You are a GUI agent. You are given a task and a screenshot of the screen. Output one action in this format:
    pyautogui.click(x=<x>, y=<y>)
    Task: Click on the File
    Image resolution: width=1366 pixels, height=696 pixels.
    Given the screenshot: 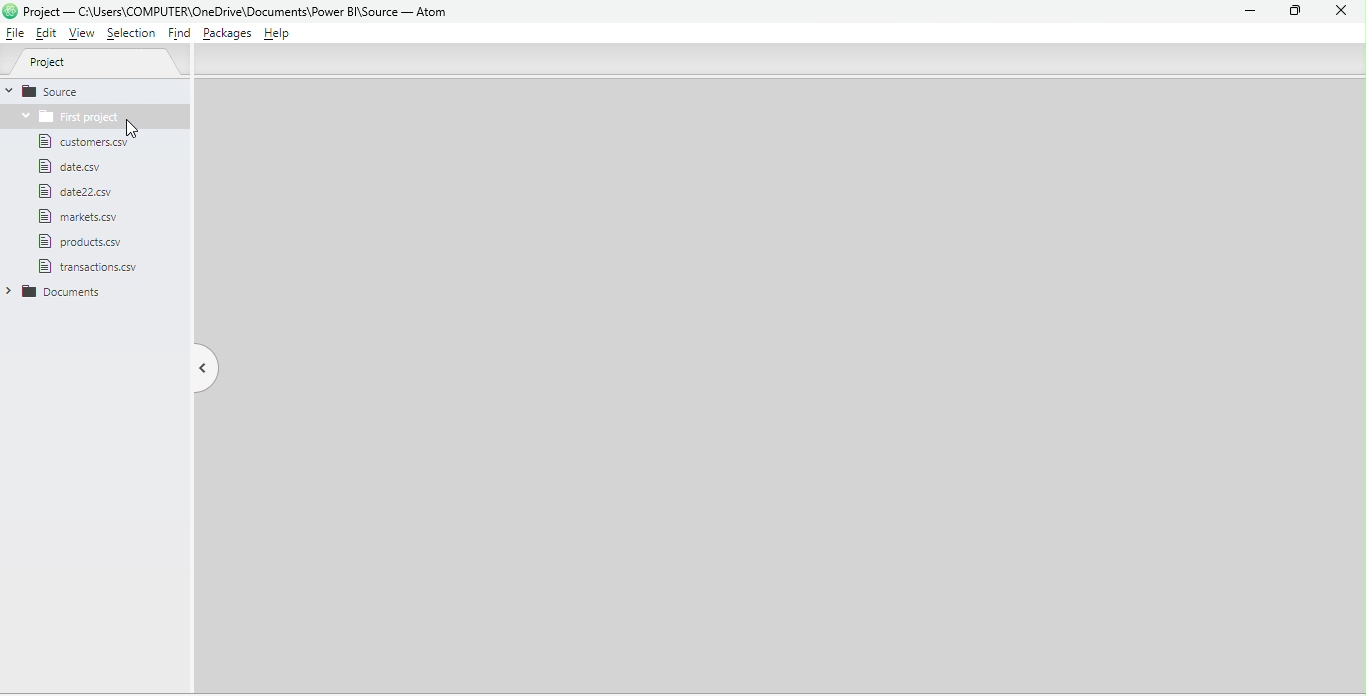 What is the action you would take?
    pyautogui.click(x=79, y=167)
    